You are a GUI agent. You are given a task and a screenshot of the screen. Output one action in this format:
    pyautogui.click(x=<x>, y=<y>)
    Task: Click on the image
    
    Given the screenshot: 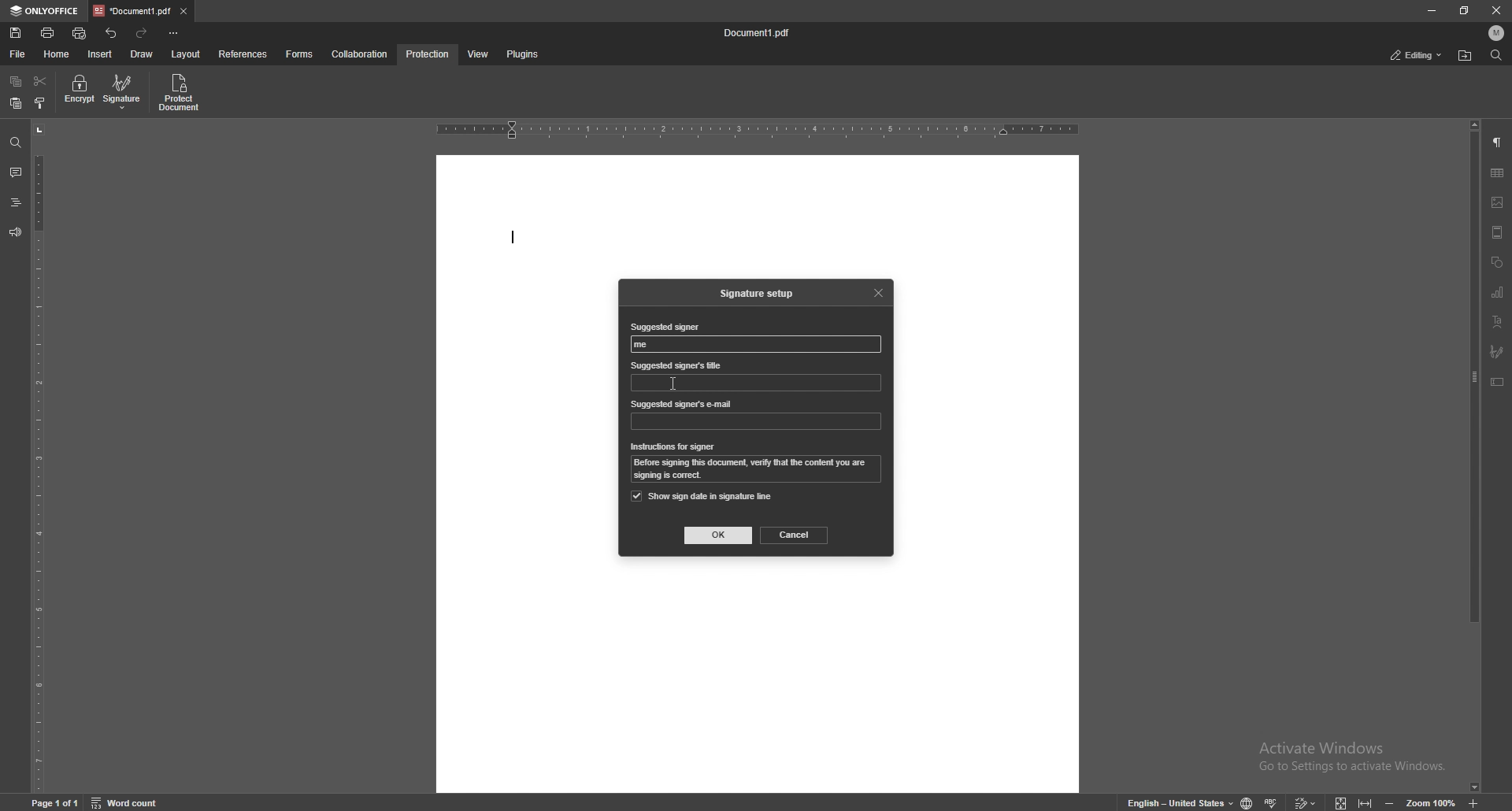 What is the action you would take?
    pyautogui.click(x=1498, y=202)
    